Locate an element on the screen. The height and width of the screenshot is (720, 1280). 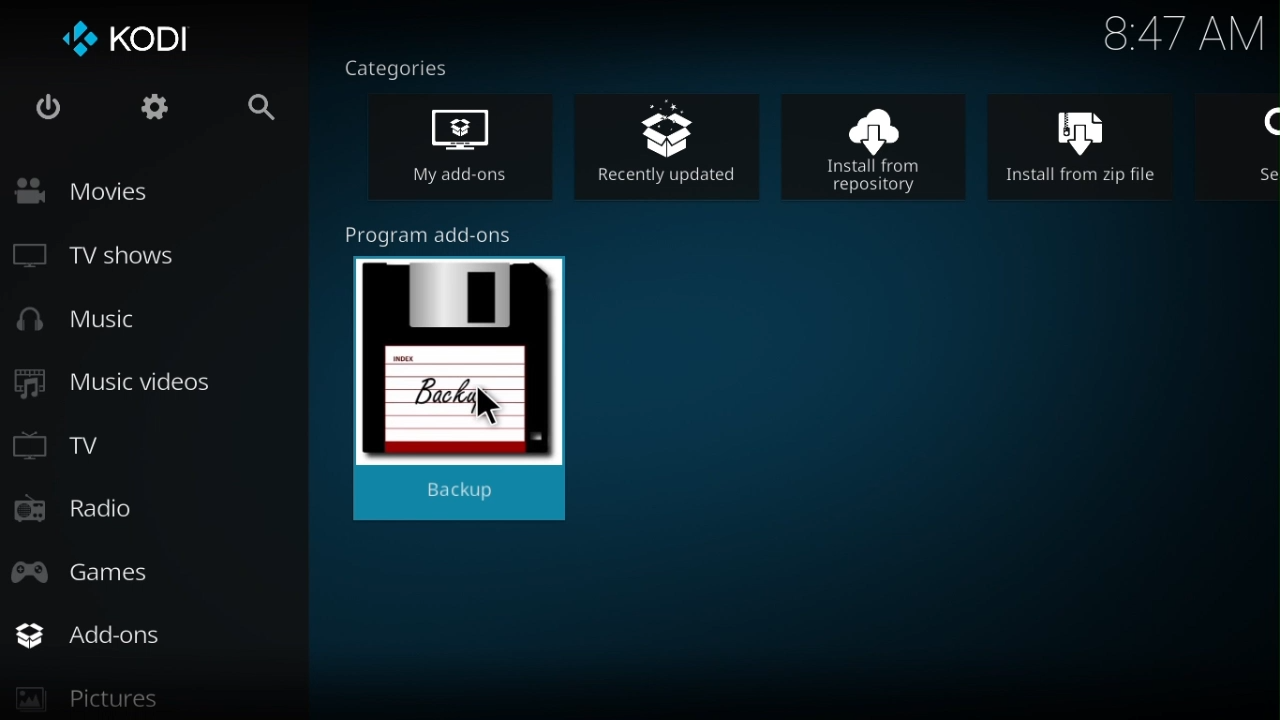
Radio  is located at coordinates (81, 512).